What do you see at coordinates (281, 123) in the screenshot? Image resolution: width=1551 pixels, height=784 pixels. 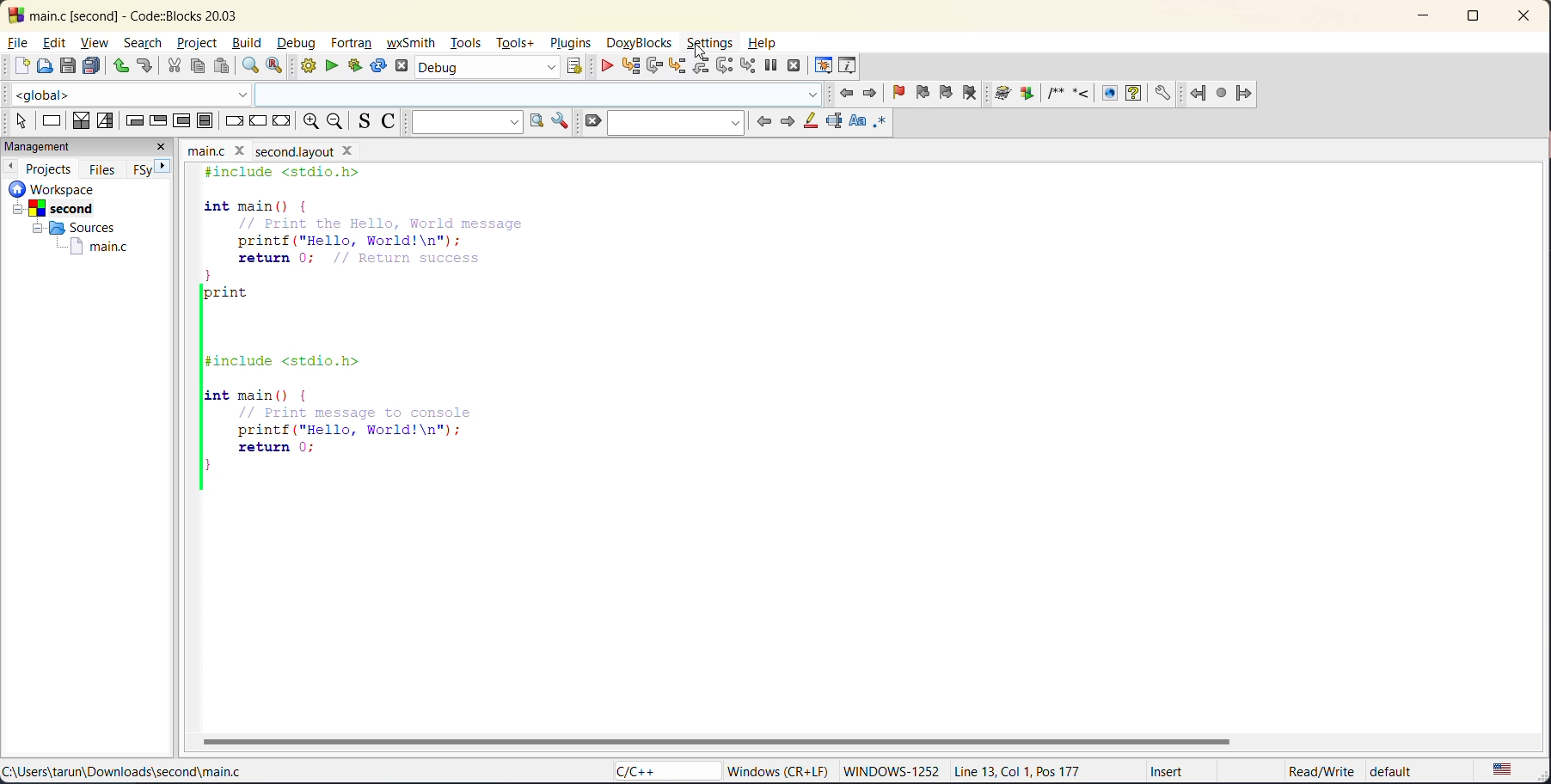 I see `return instruction` at bounding box center [281, 123].